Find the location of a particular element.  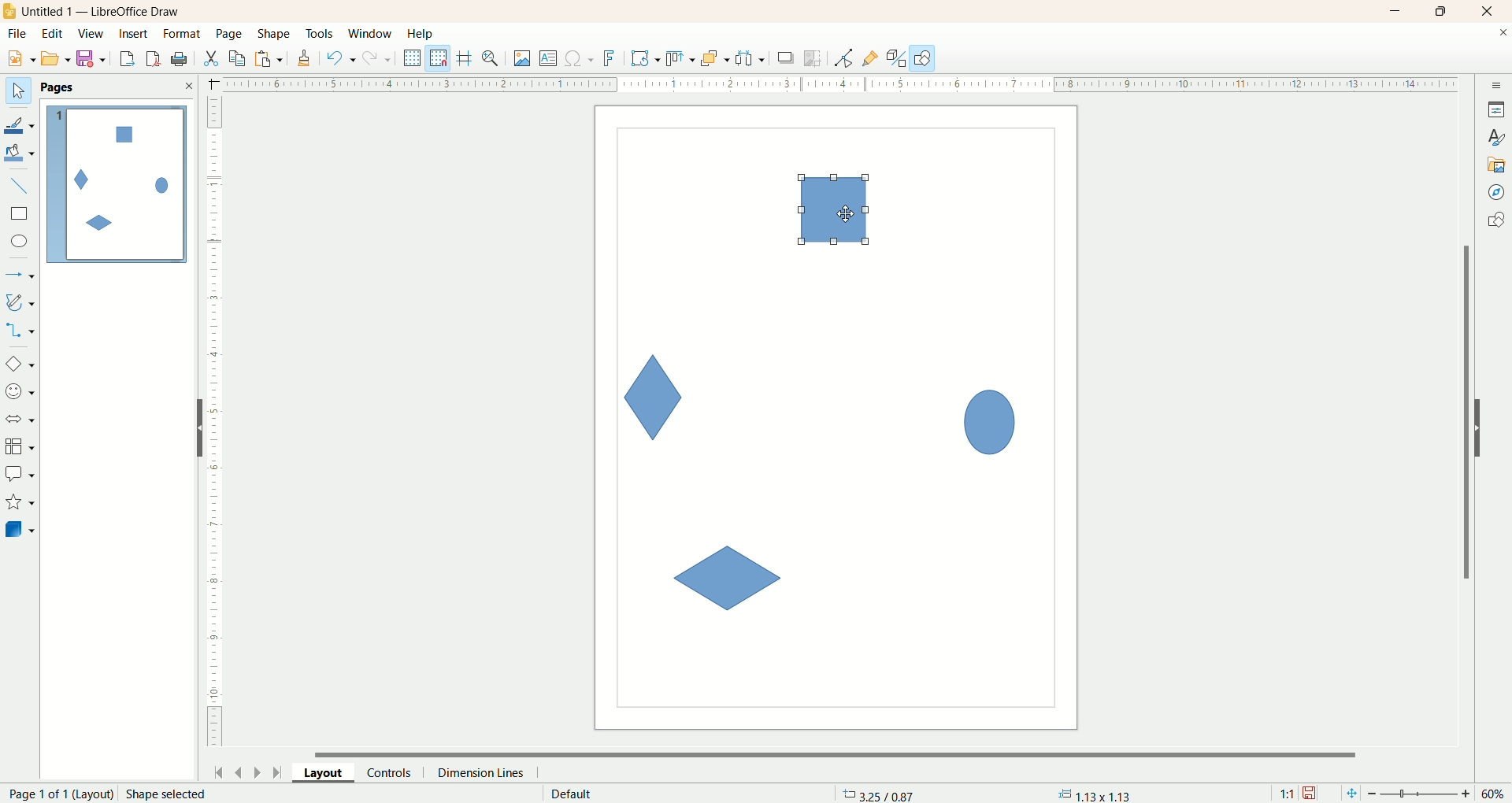

previous page is located at coordinates (237, 771).